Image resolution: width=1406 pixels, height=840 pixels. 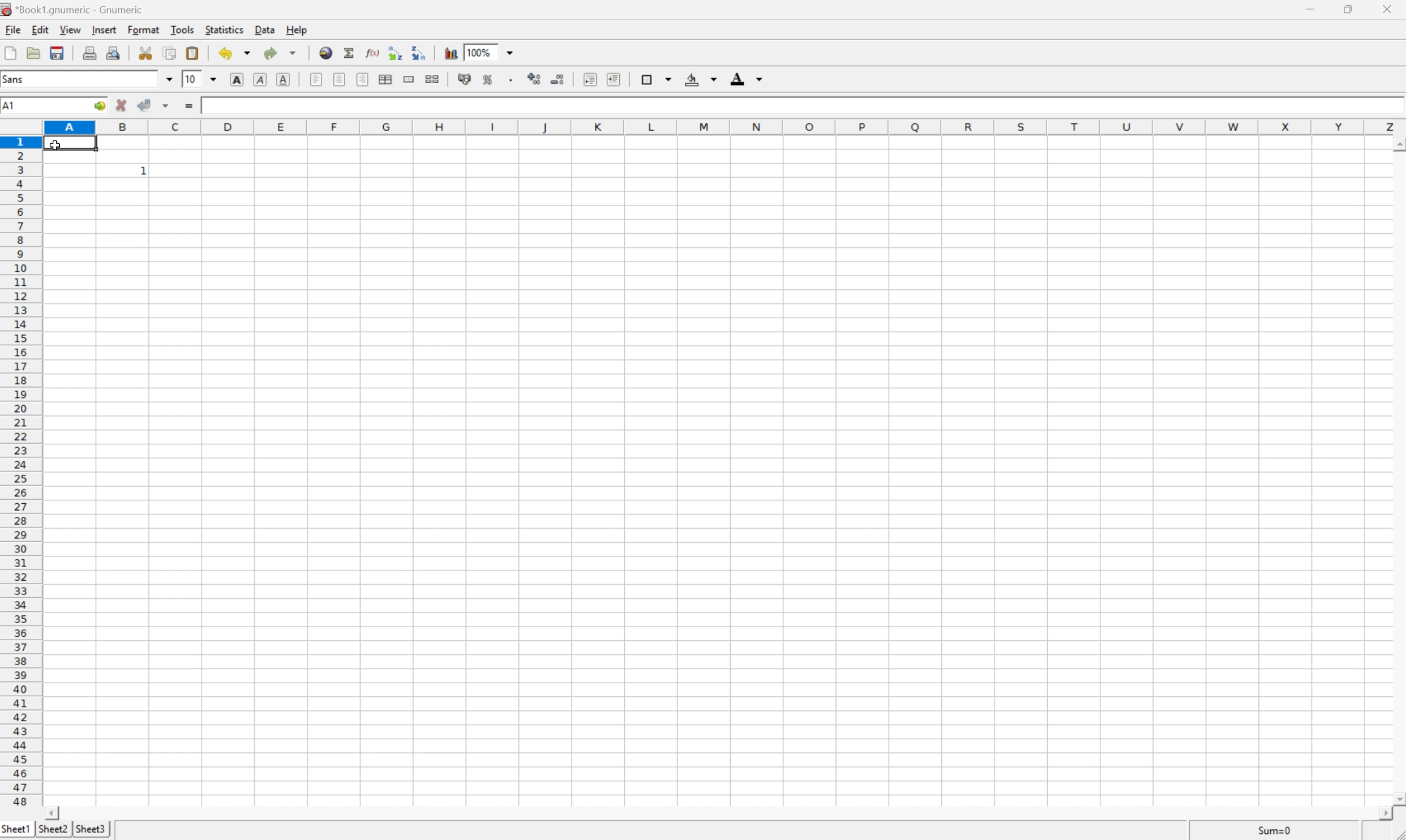 I want to click on enter formula, so click(x=192, y=105).